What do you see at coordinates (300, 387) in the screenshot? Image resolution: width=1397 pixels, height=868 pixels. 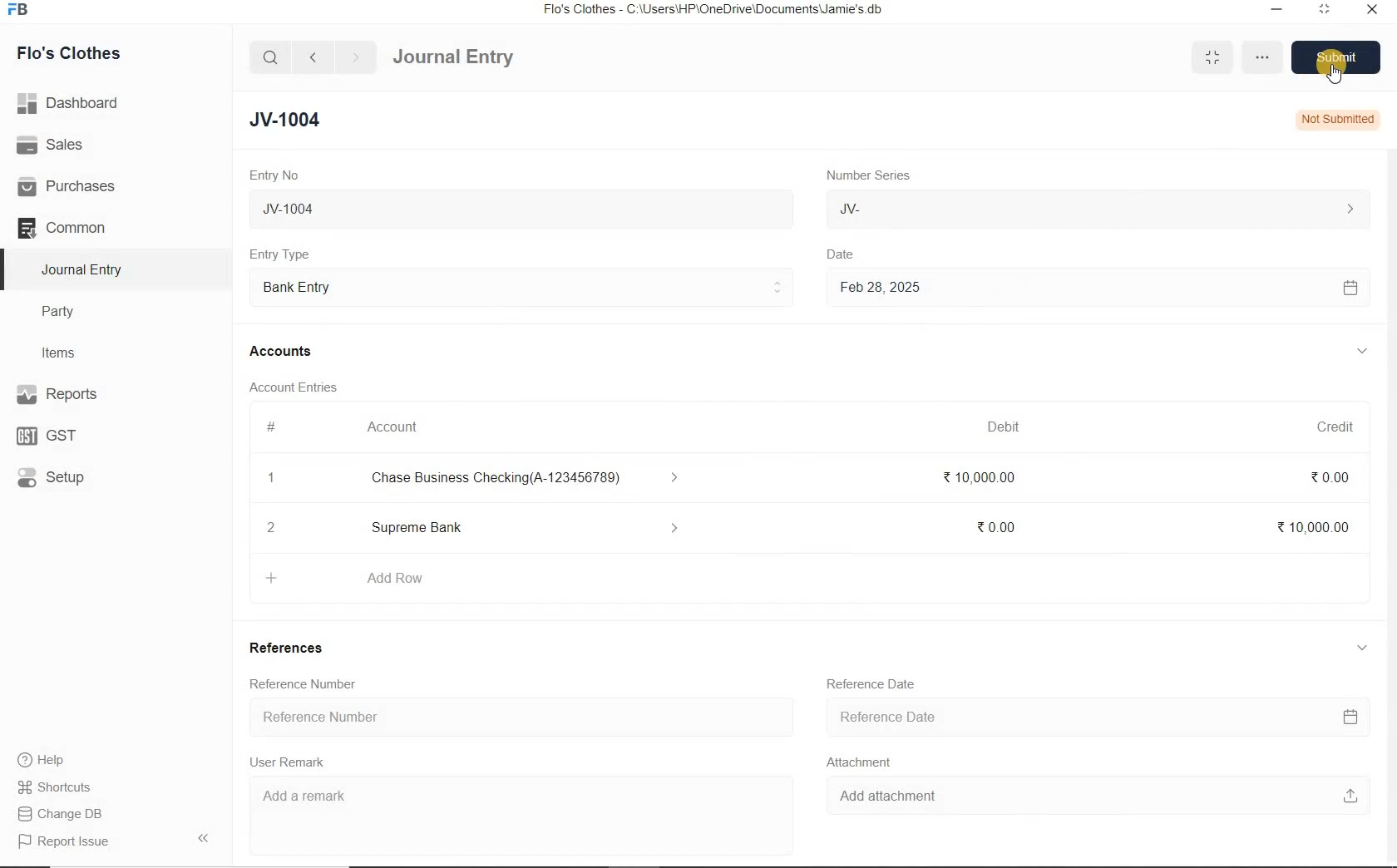 I see `Account Entries` at bounding box center [300, 387].